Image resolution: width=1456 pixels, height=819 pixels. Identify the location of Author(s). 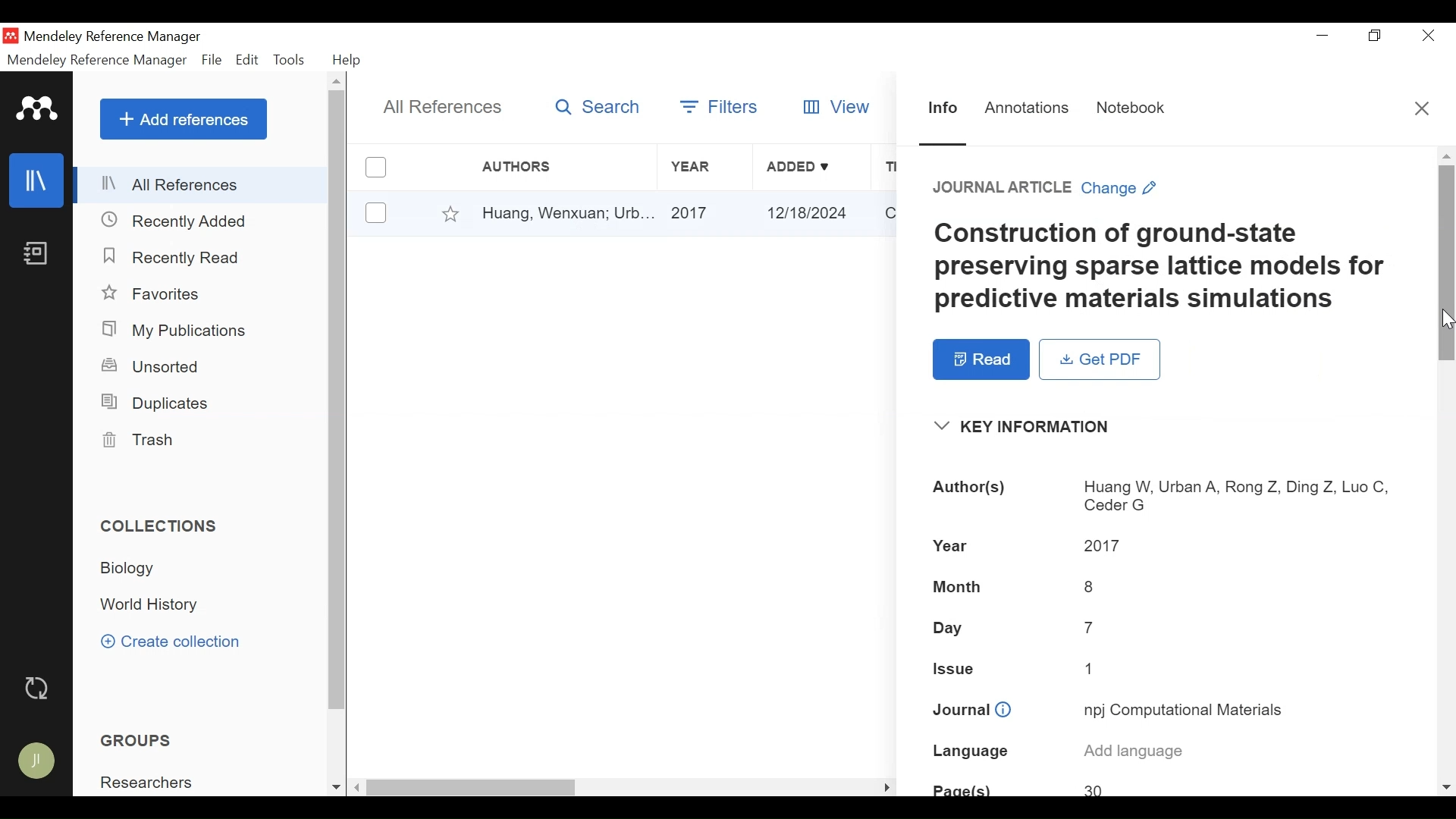
(976, 488).